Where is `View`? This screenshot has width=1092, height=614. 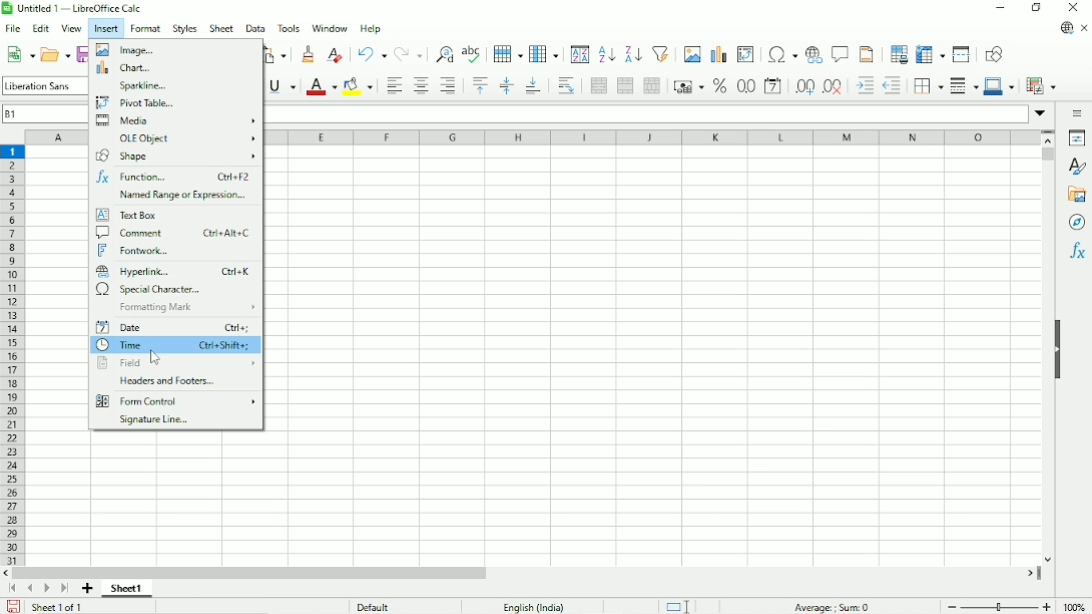
View is located at coordinates (70, 28).